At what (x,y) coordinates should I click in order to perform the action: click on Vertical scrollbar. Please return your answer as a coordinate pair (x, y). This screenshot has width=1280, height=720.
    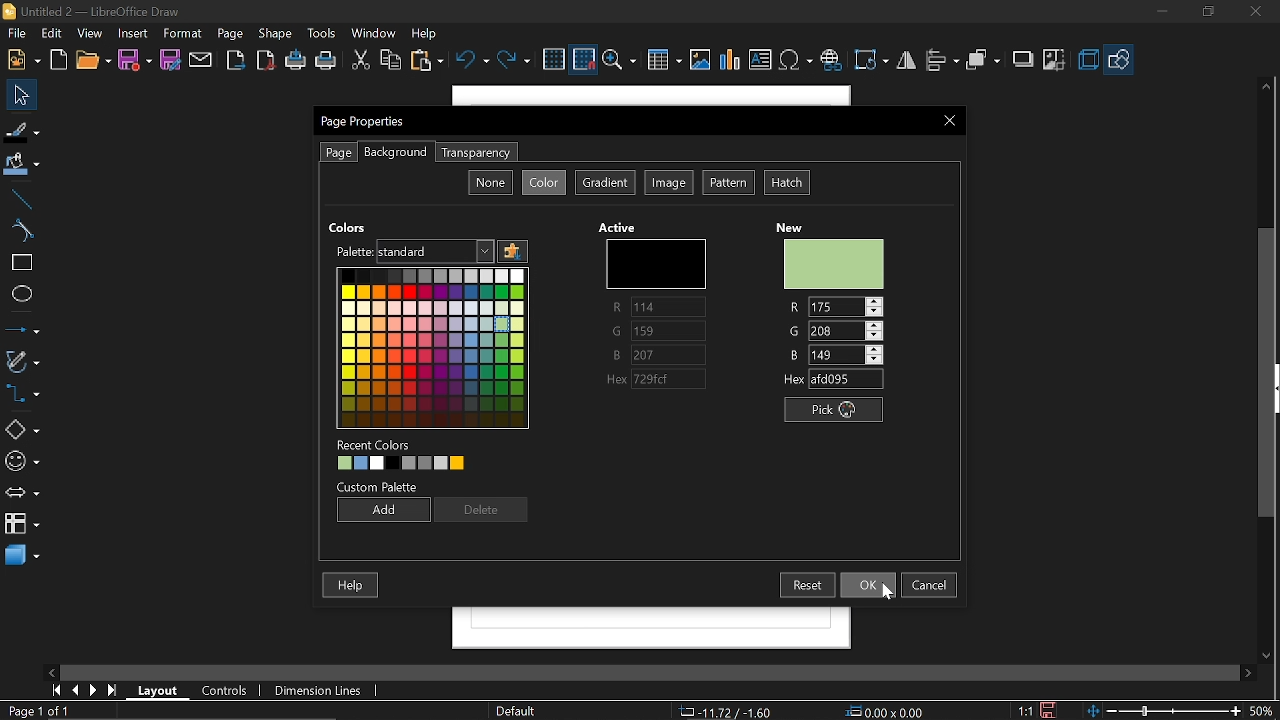
    Looking at the image, I should click on (1271, 373).